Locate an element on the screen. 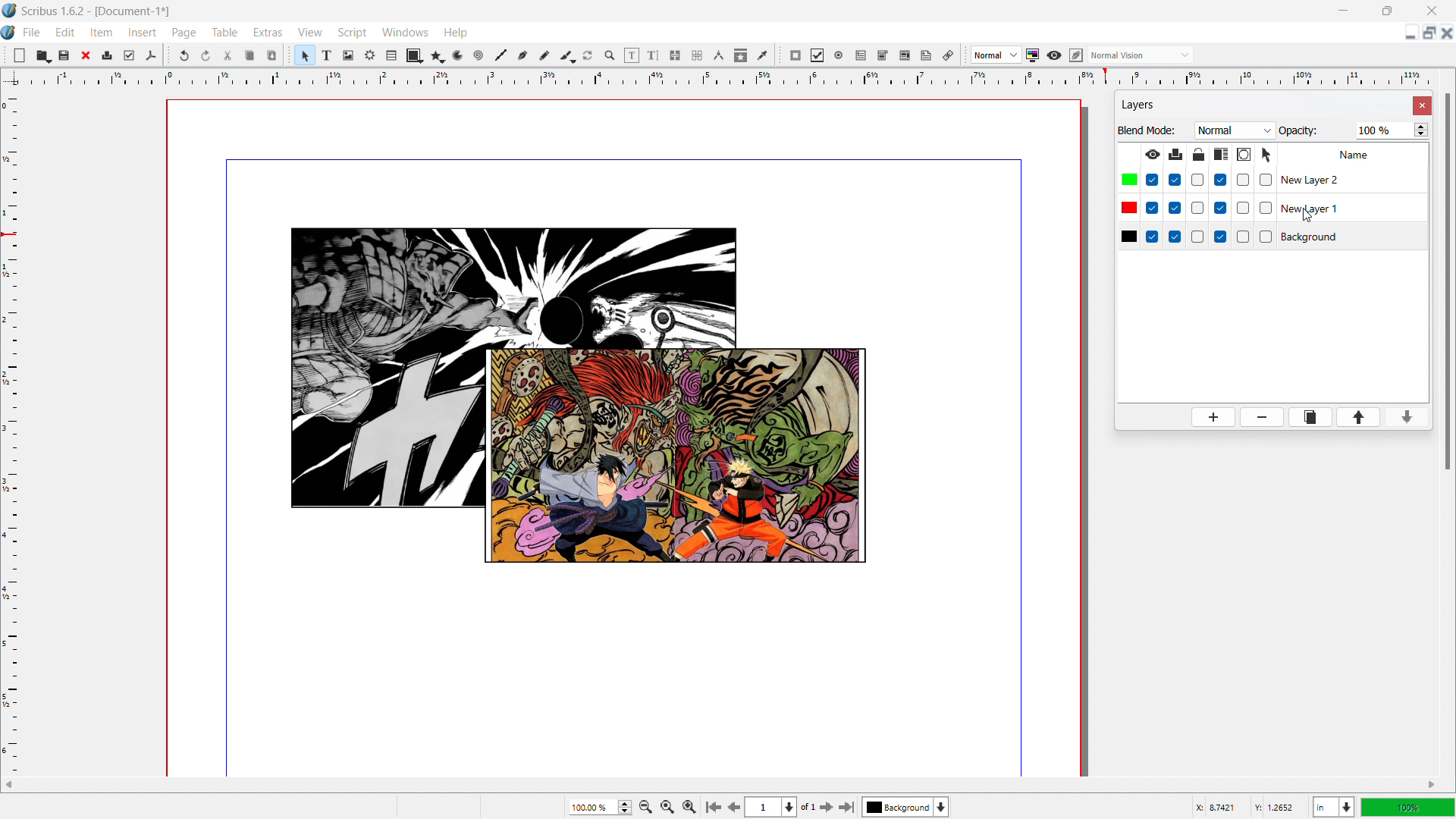  select objects on layer is located at coordinates (1267, 155).